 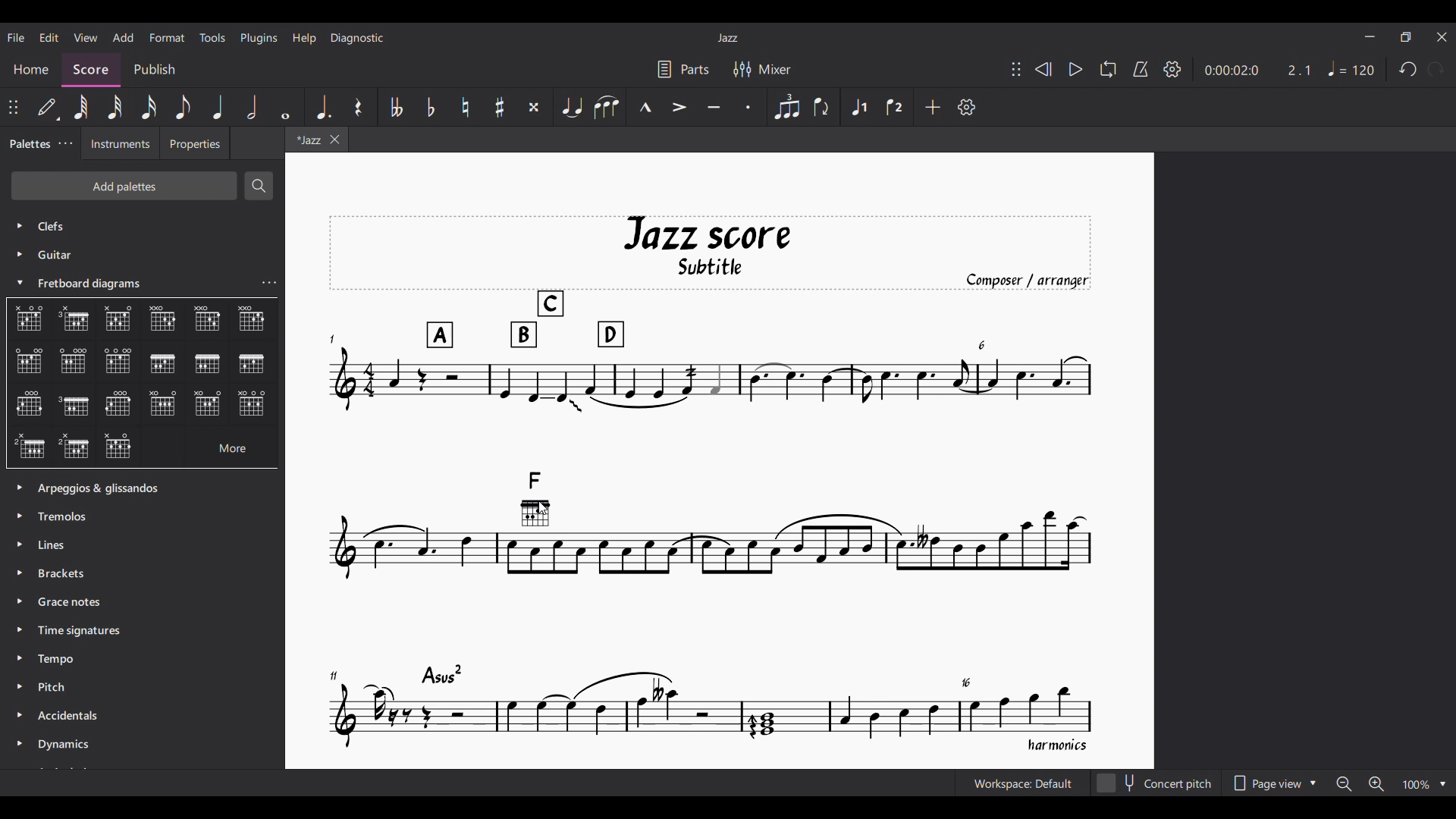 I want to click on Chart3, so click(x=120, y=320).